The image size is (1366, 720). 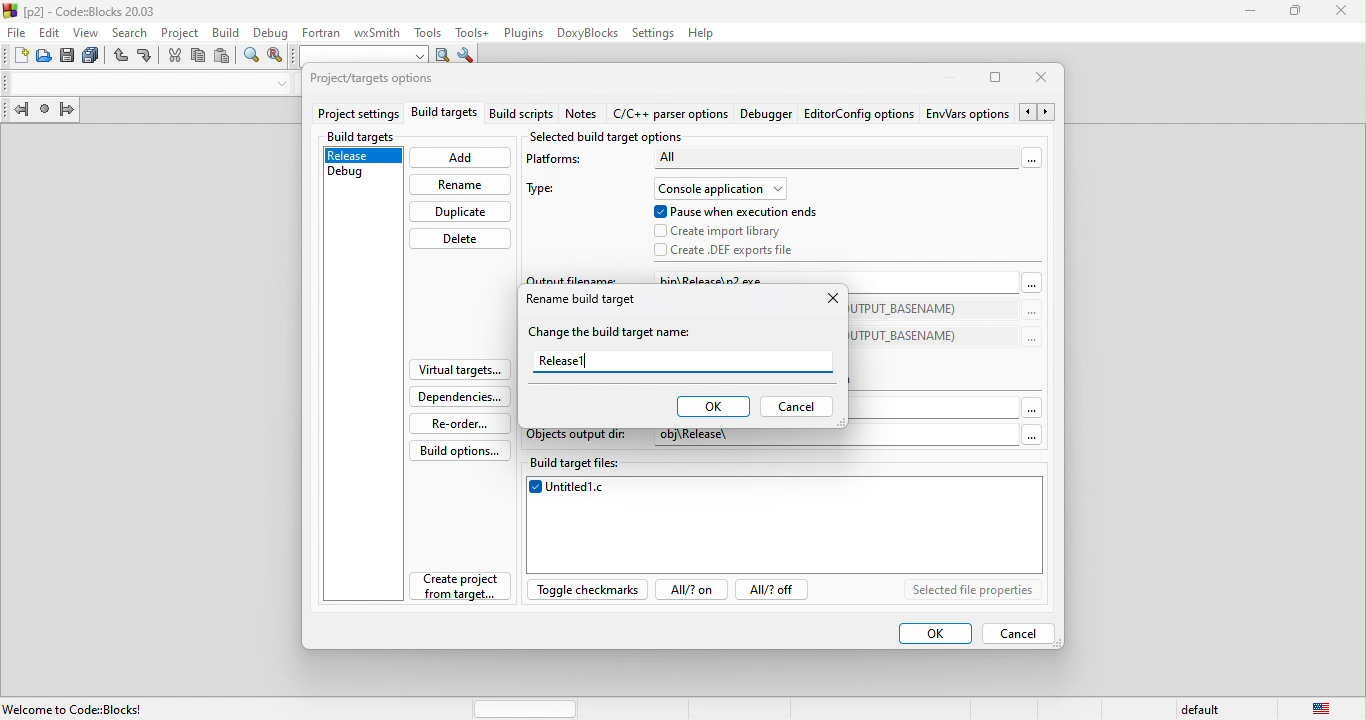 I want to click on type, so click(x=549, y=191).